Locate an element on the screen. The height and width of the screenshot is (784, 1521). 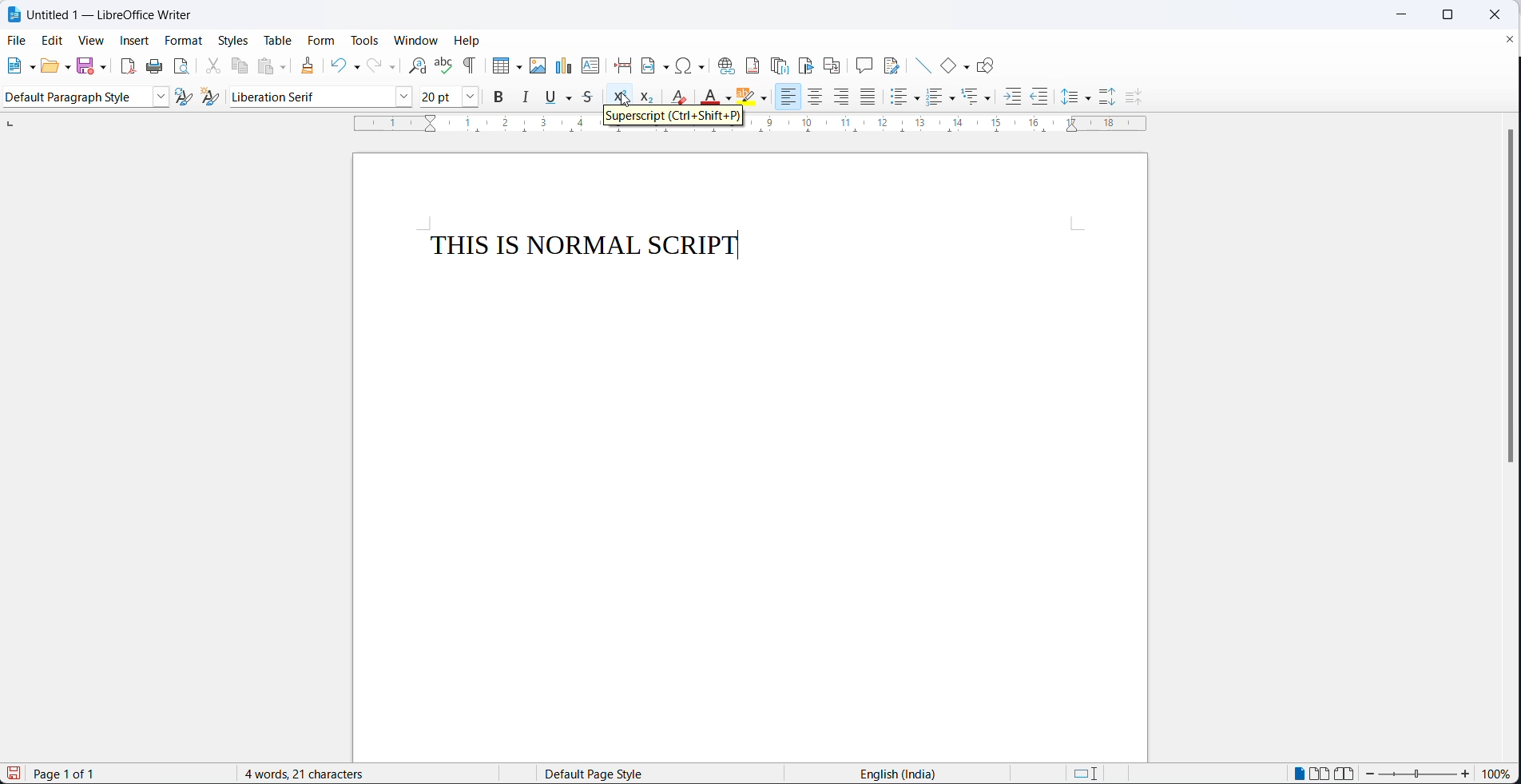
toggle ordered list options is located at coordinates (953, 98).